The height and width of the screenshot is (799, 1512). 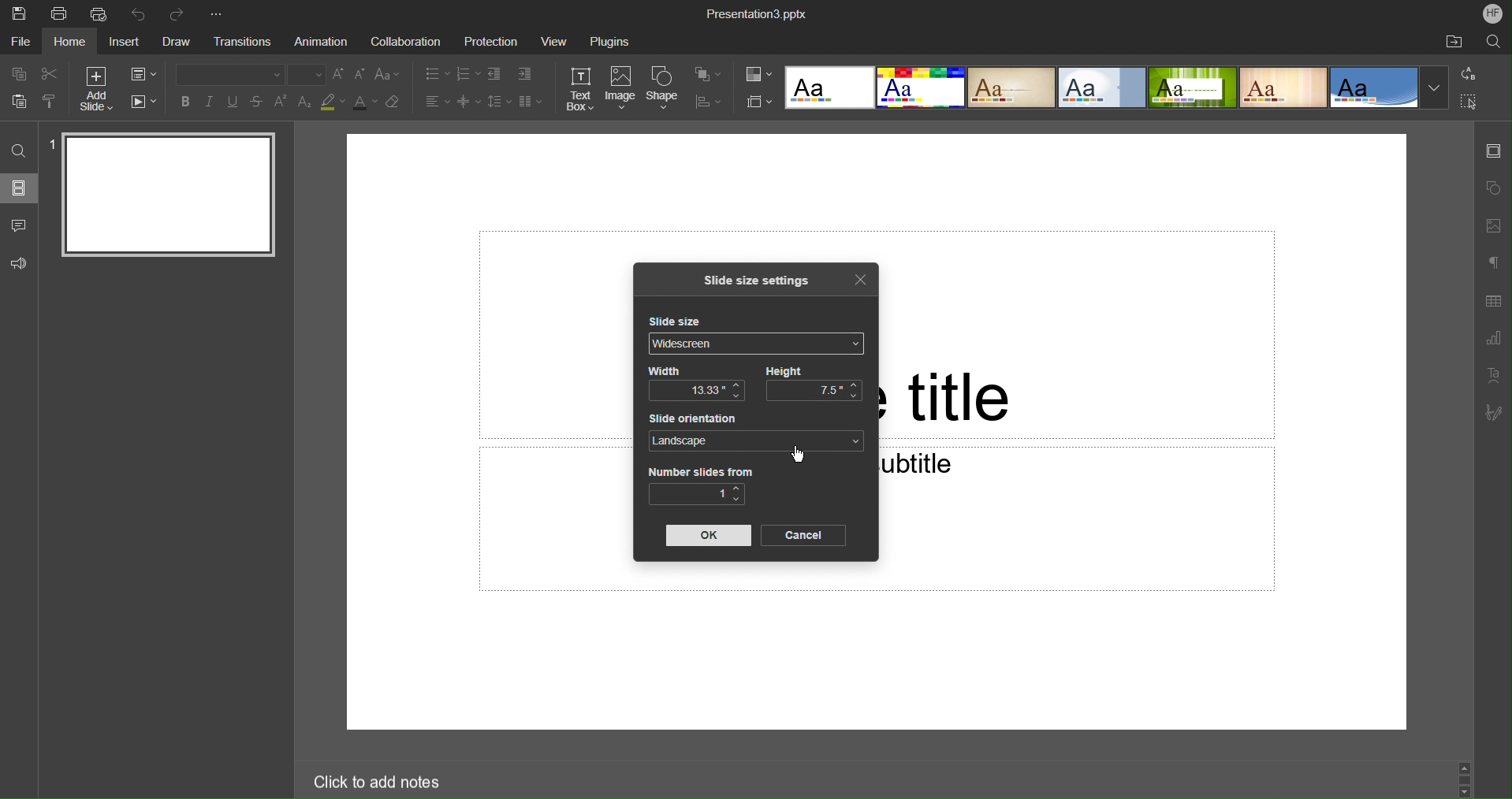 I want to click on Height, so click(x=786, y=370).